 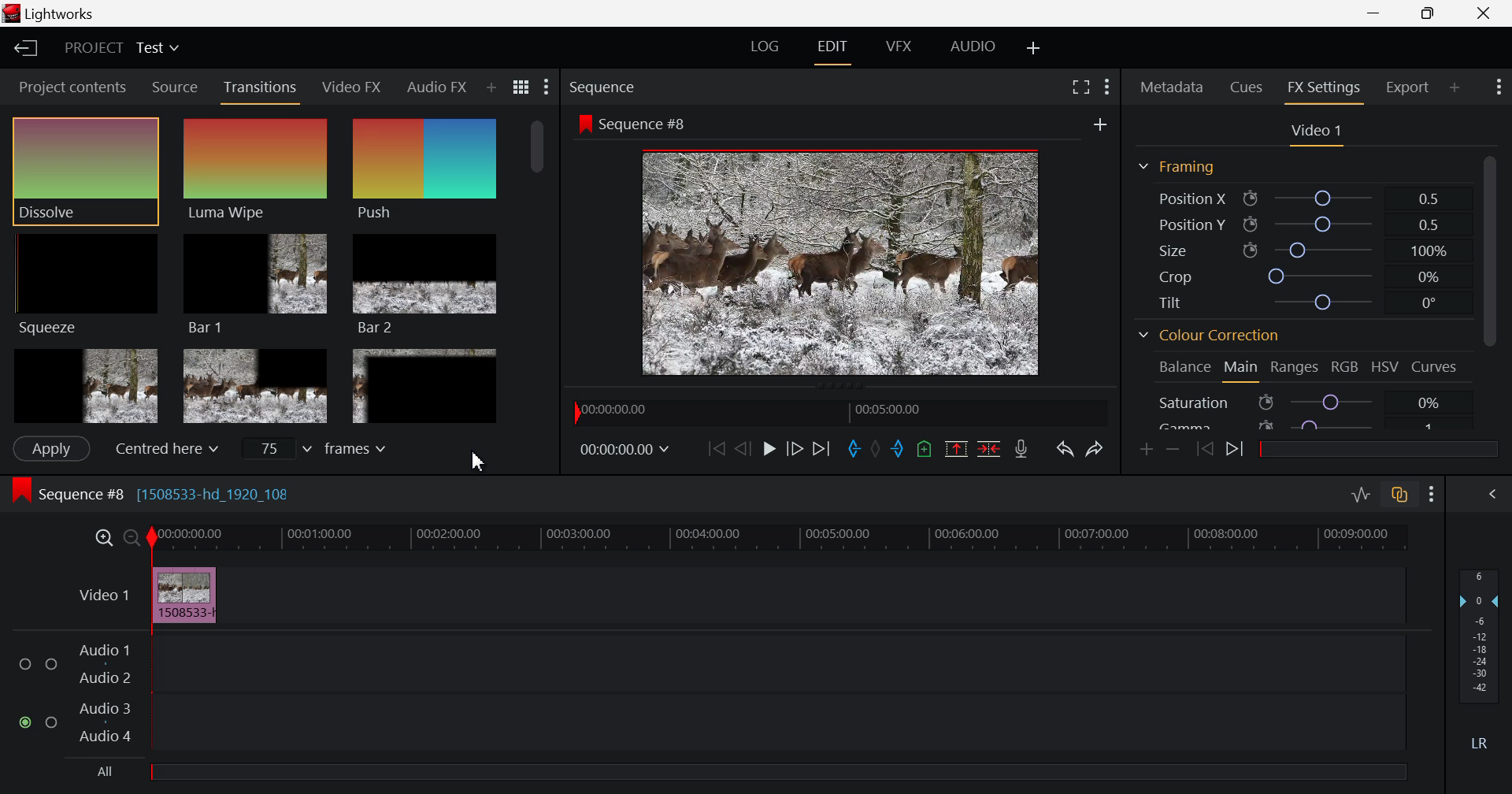 I want to click on Crop, so click(x=1295, y=275).